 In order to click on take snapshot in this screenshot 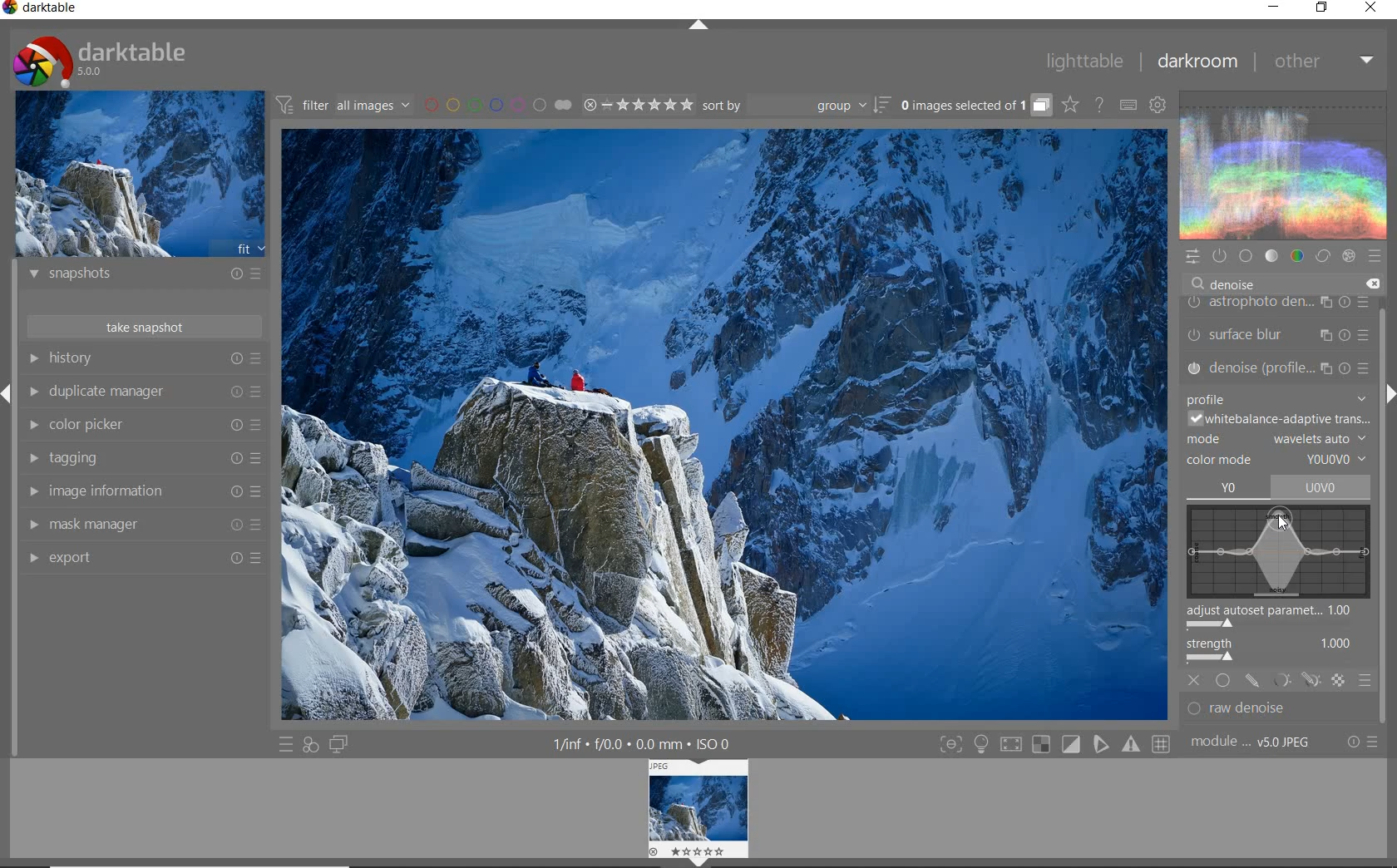, I will do `click(147, 326)`.